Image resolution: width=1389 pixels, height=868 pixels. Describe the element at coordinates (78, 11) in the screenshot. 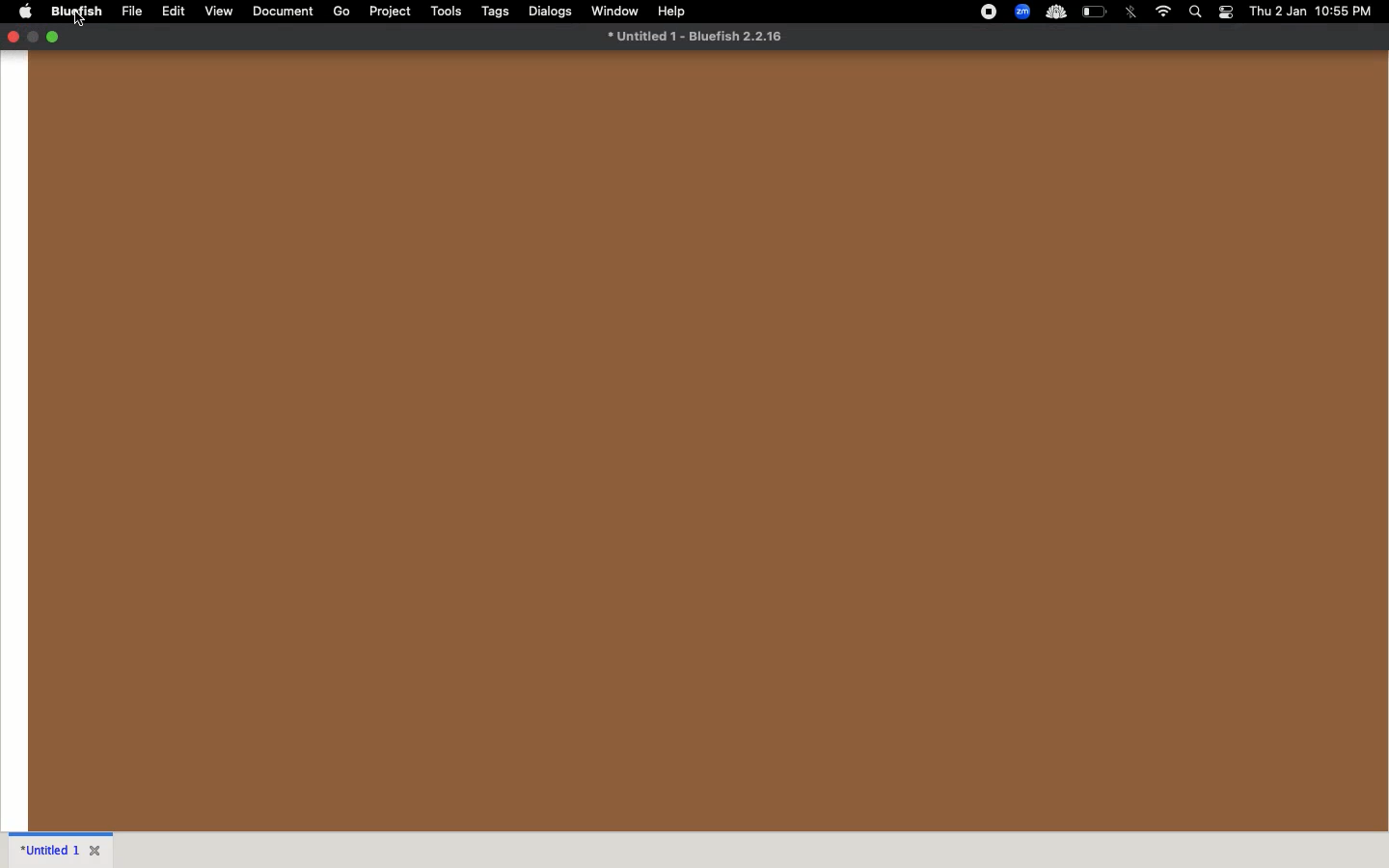

I see `bluefish` at that location.